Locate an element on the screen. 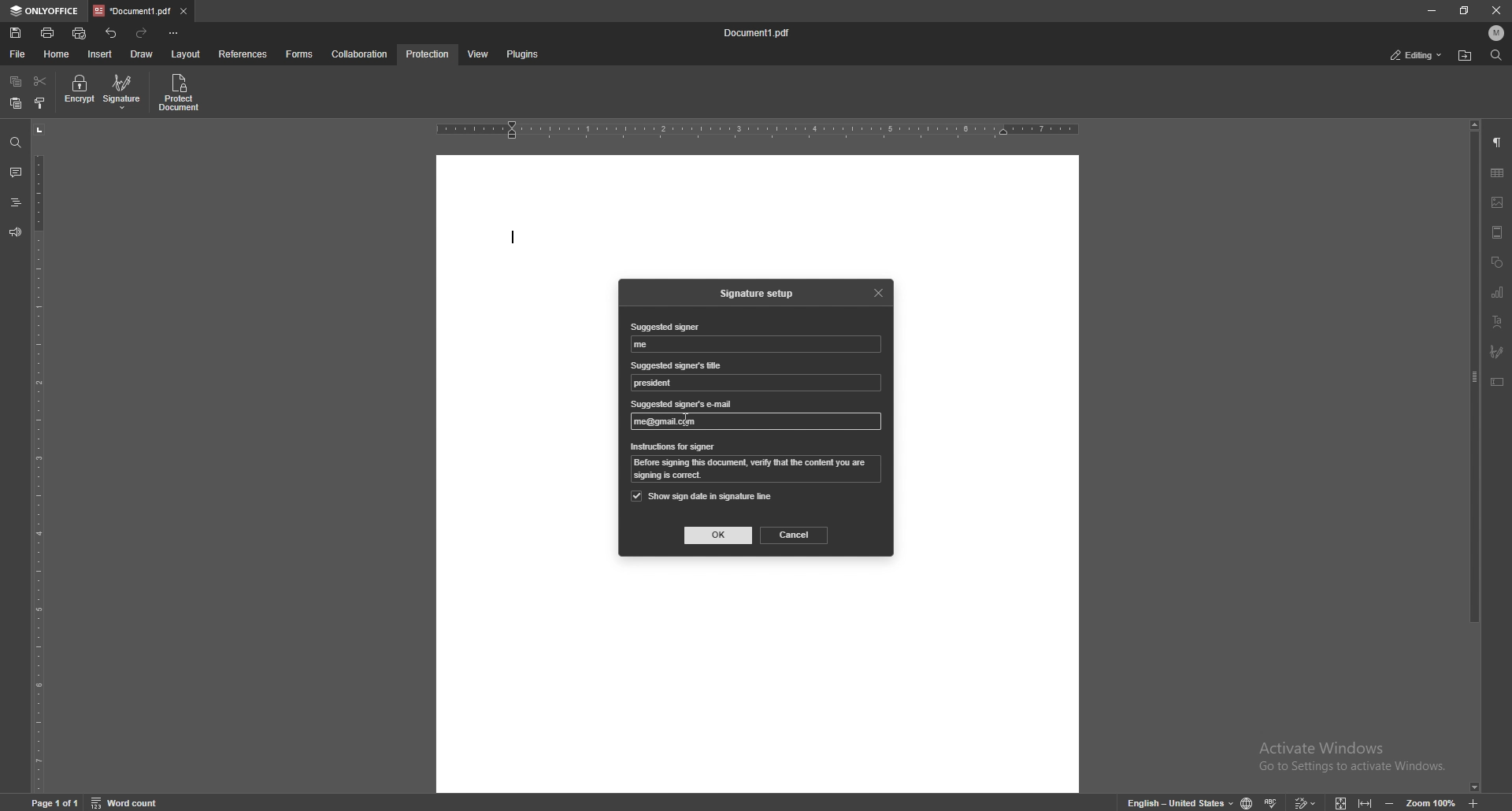 Image resolution: width=1512 pixels, height=811 pixels. status is located at coordinates (1417, 56).